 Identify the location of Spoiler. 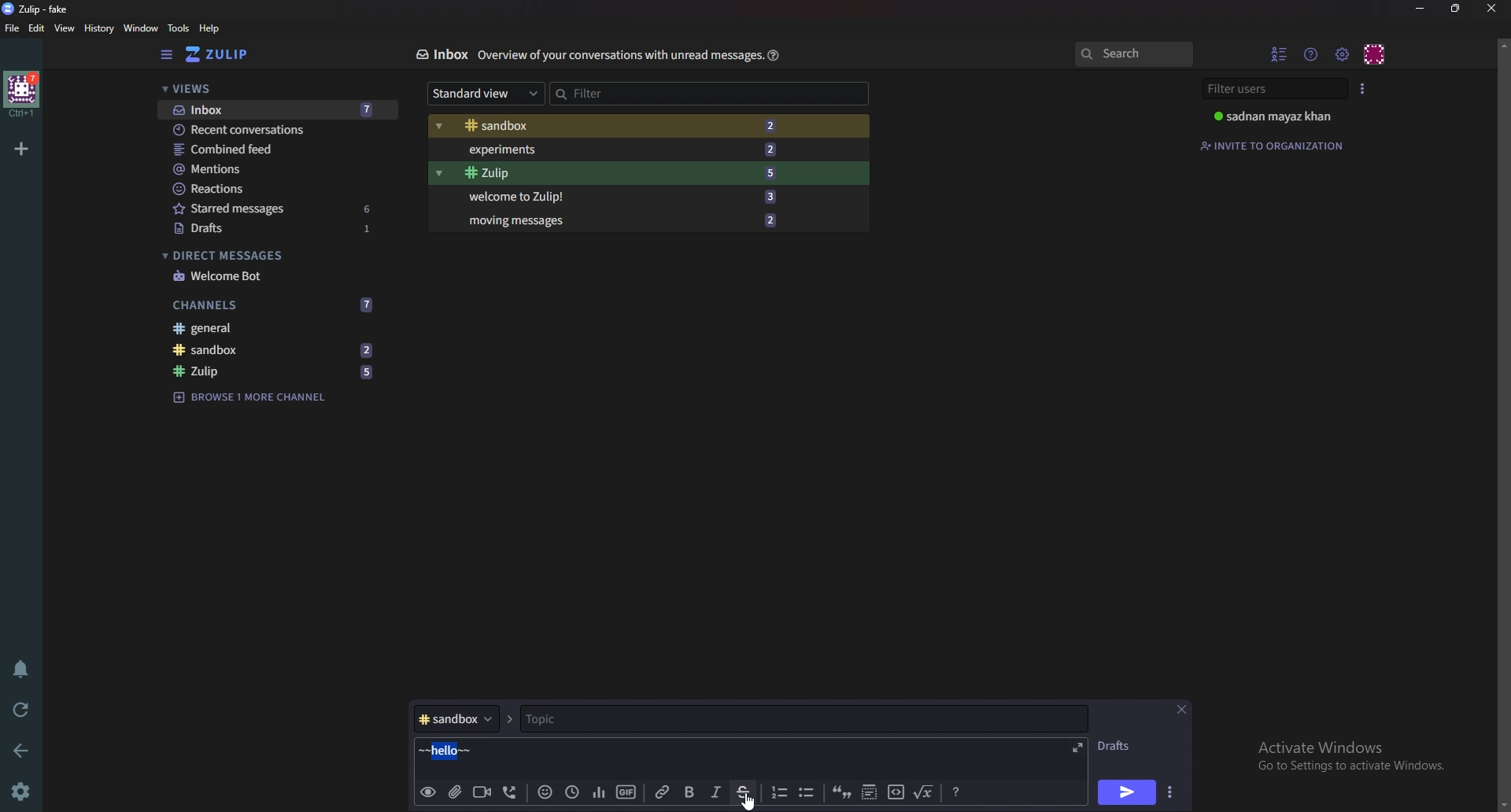
(870, 793).